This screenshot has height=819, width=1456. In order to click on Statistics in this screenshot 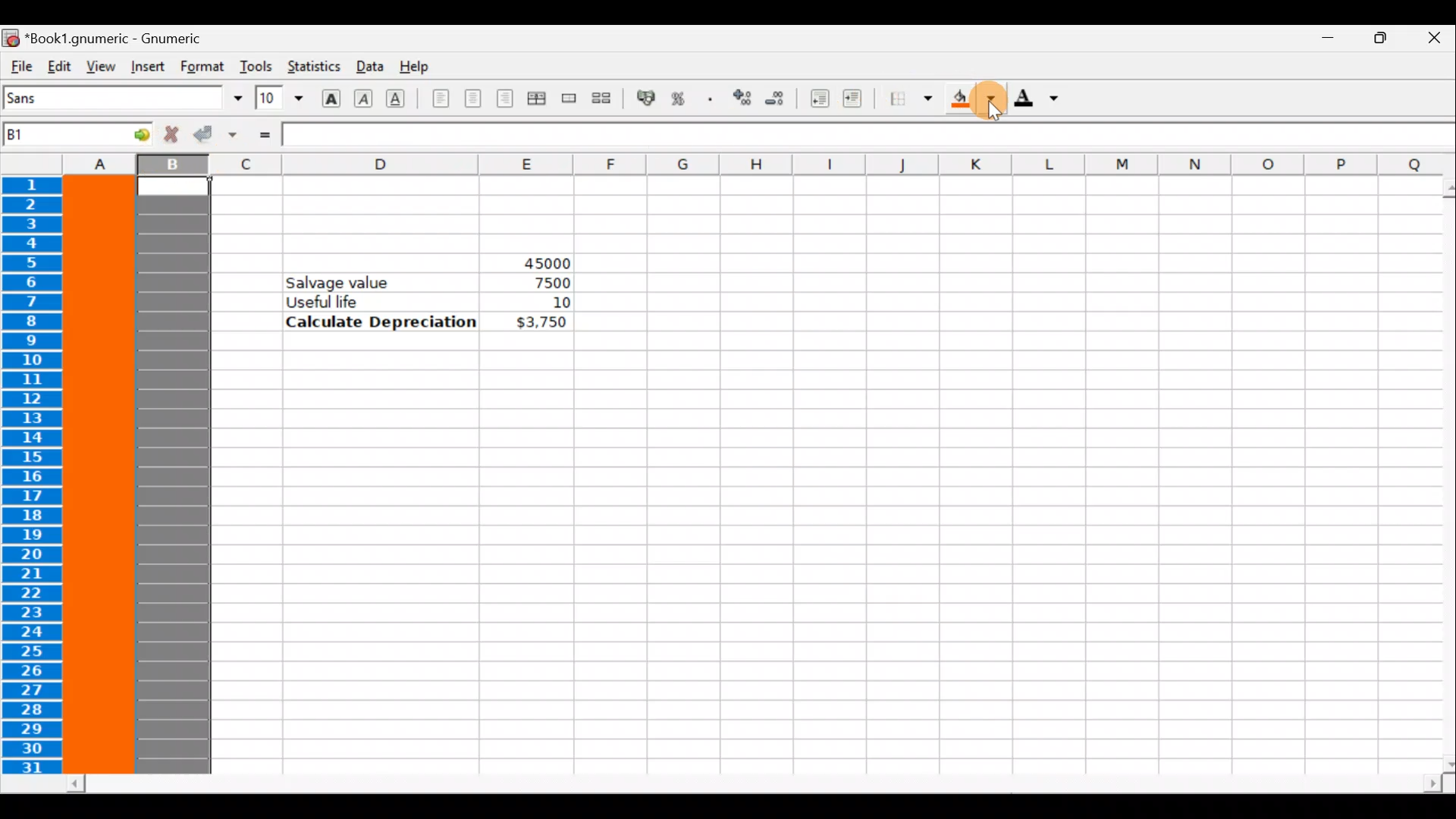, I will do `click(312, 67)`.